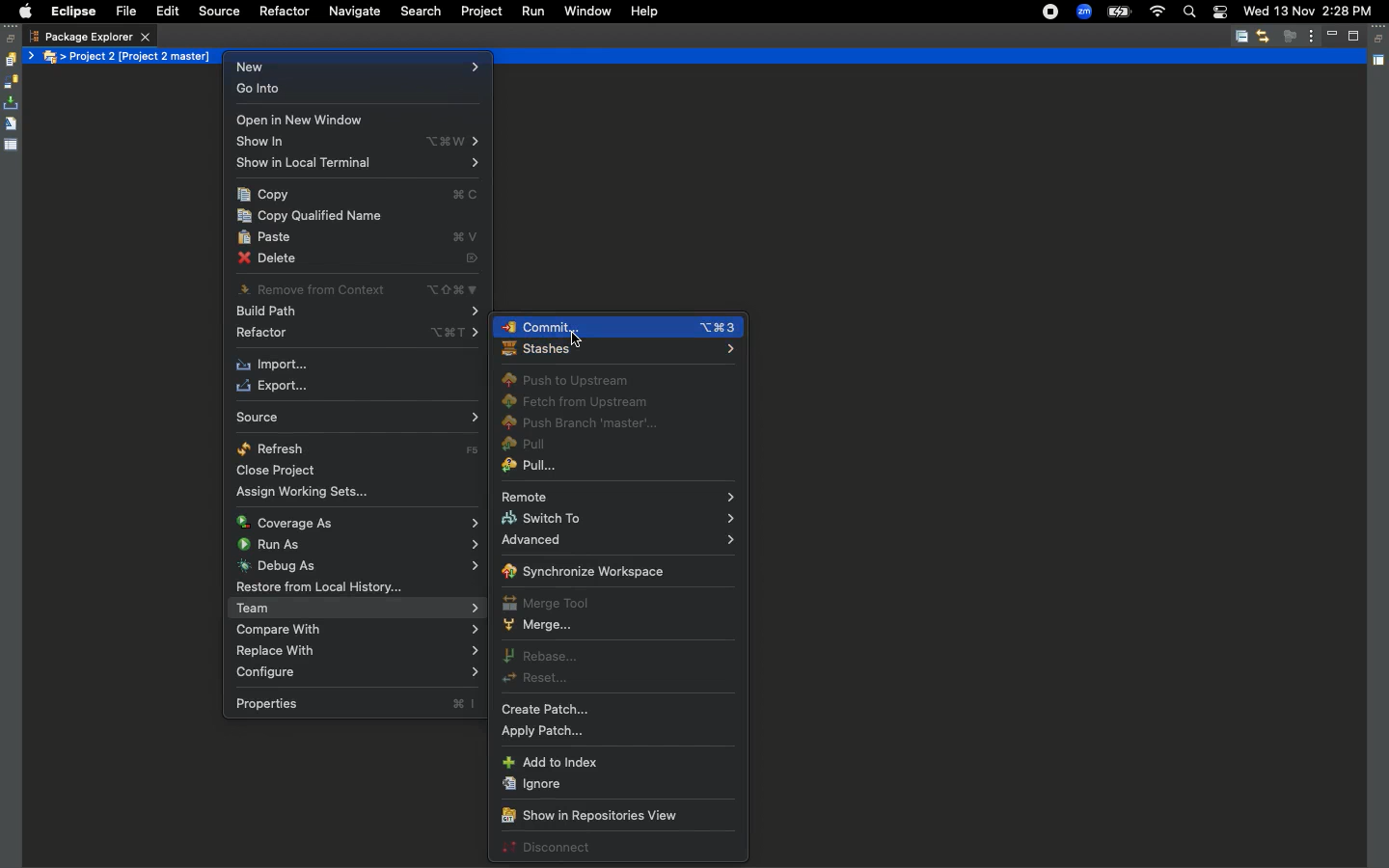  Describe the element at coordinates (355, 652) in the screenshot. I see `Compare with` at that location.